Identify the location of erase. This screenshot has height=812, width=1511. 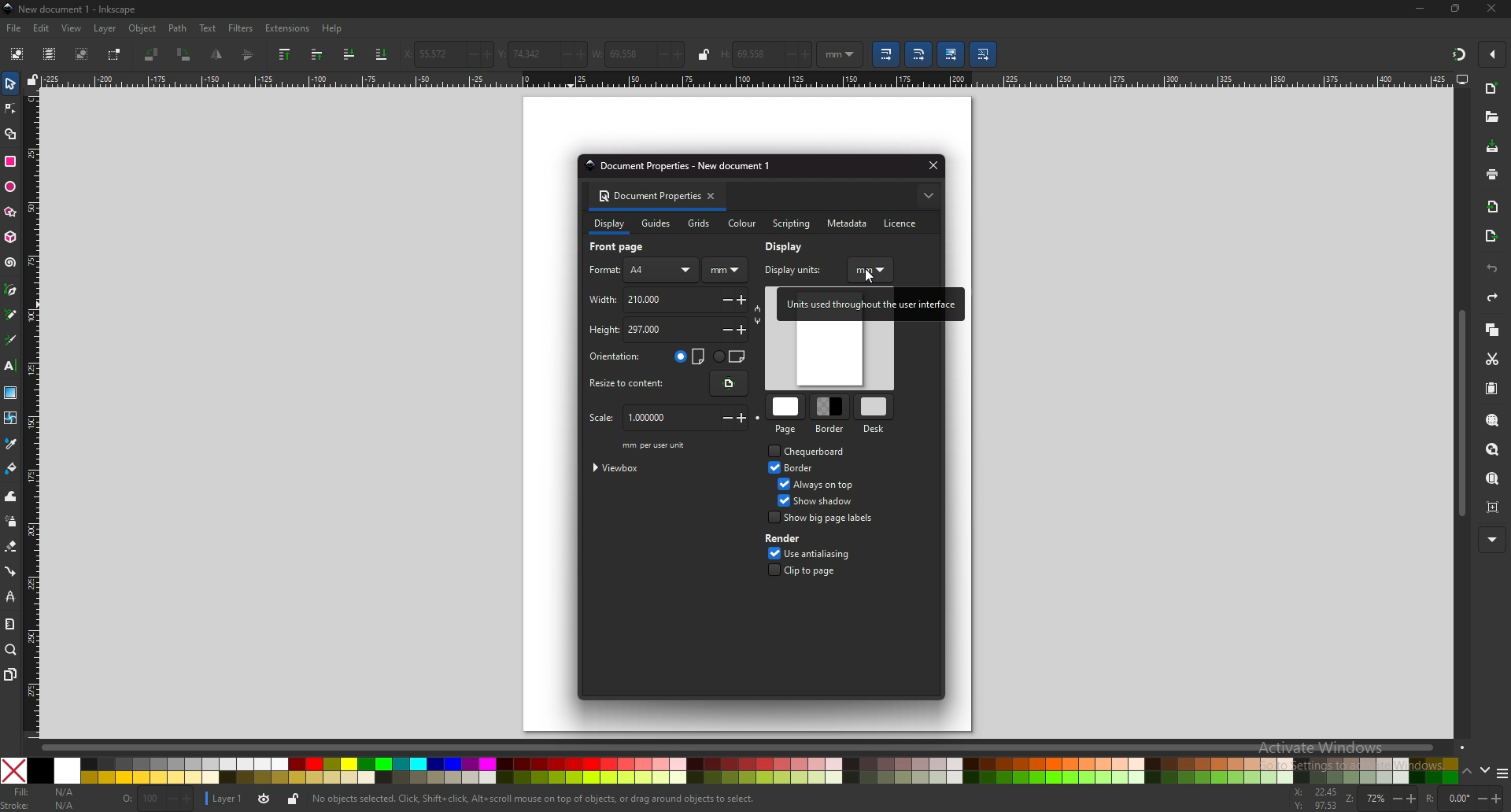
(11, 545).